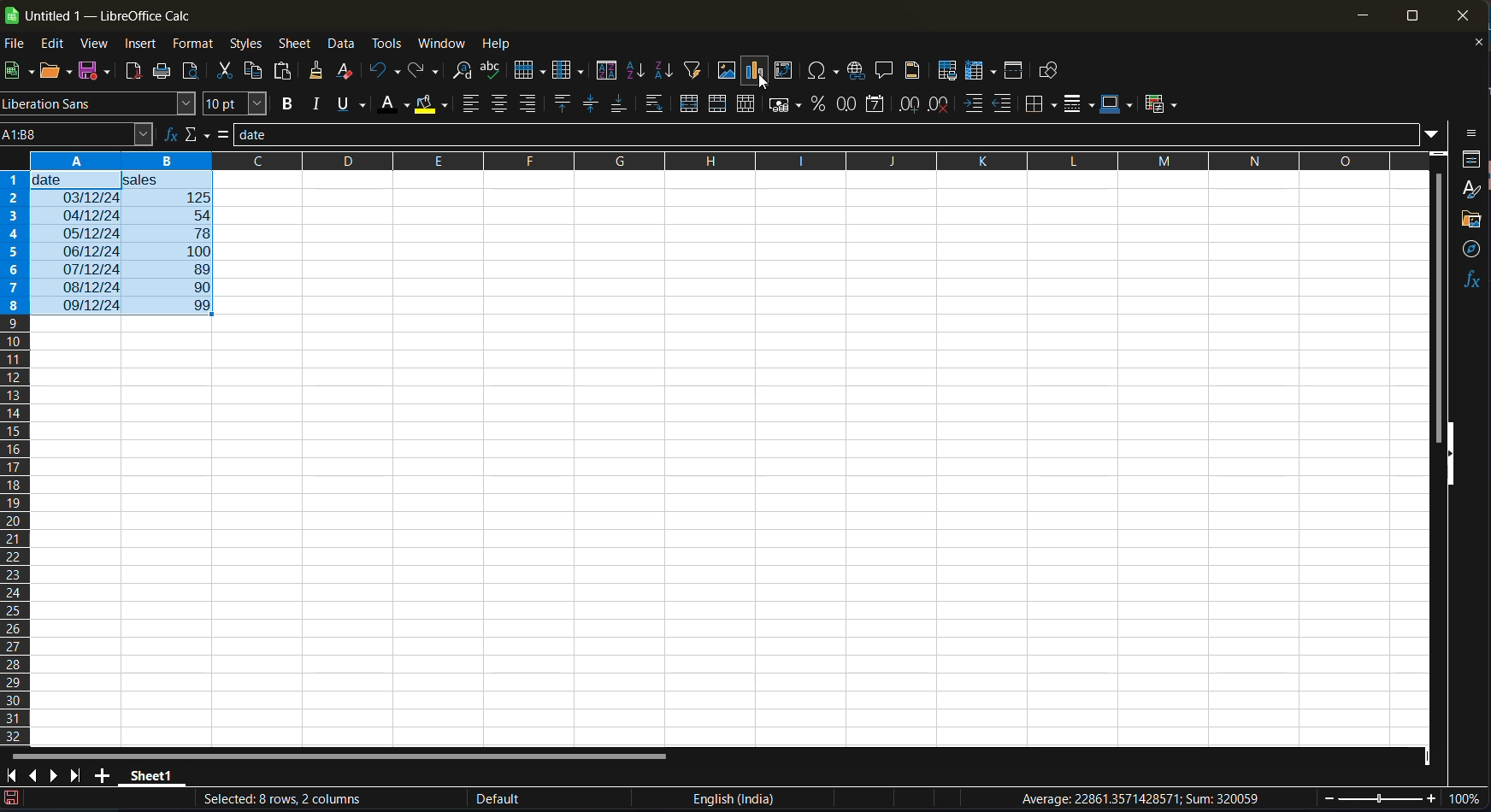  Describe the element at coordinates (352, 105) in the screenshot. I see `underline` at that location.